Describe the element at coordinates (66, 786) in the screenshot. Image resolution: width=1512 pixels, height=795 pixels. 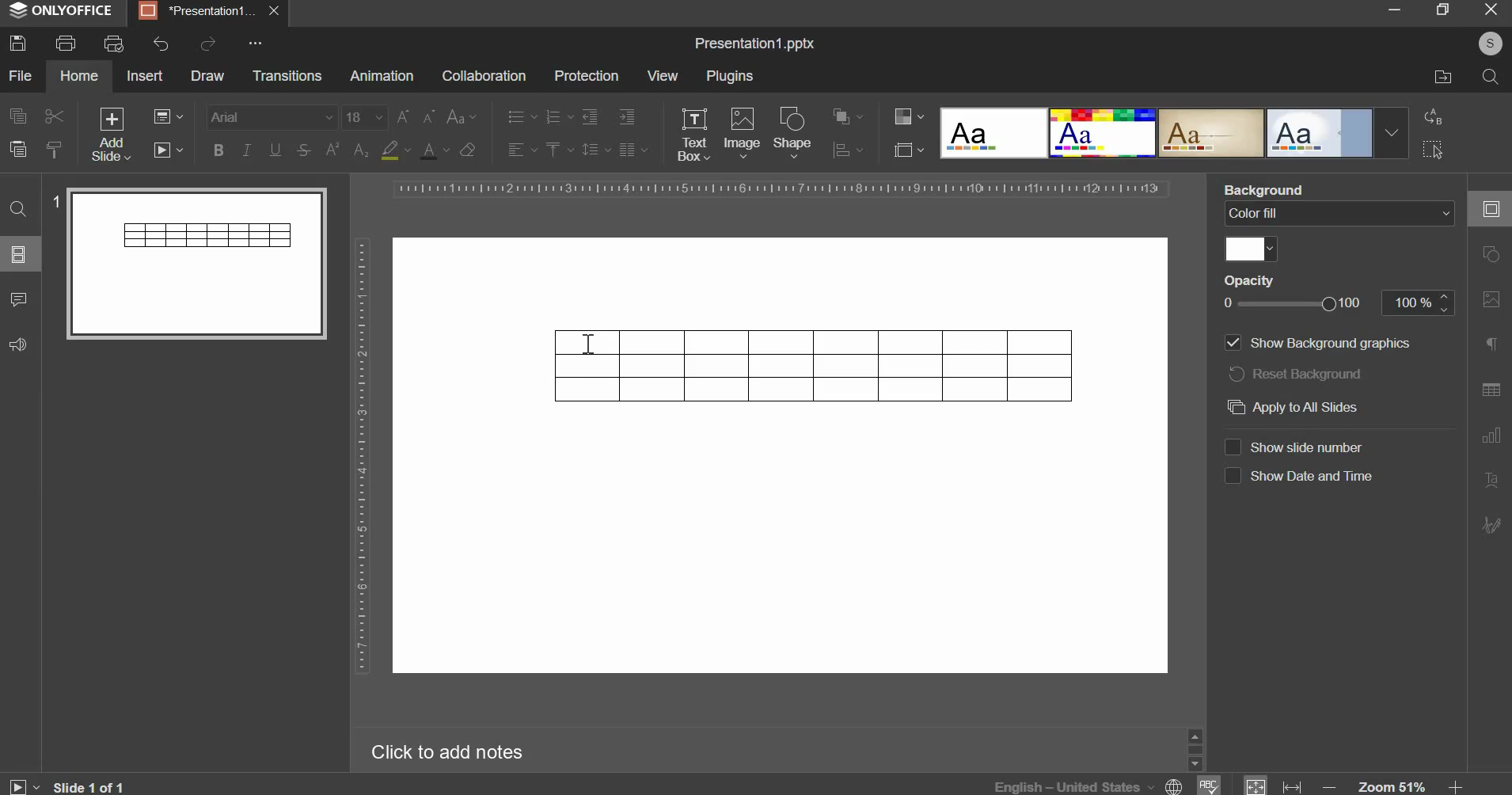
I see `Slide 1 of 1` at that location.